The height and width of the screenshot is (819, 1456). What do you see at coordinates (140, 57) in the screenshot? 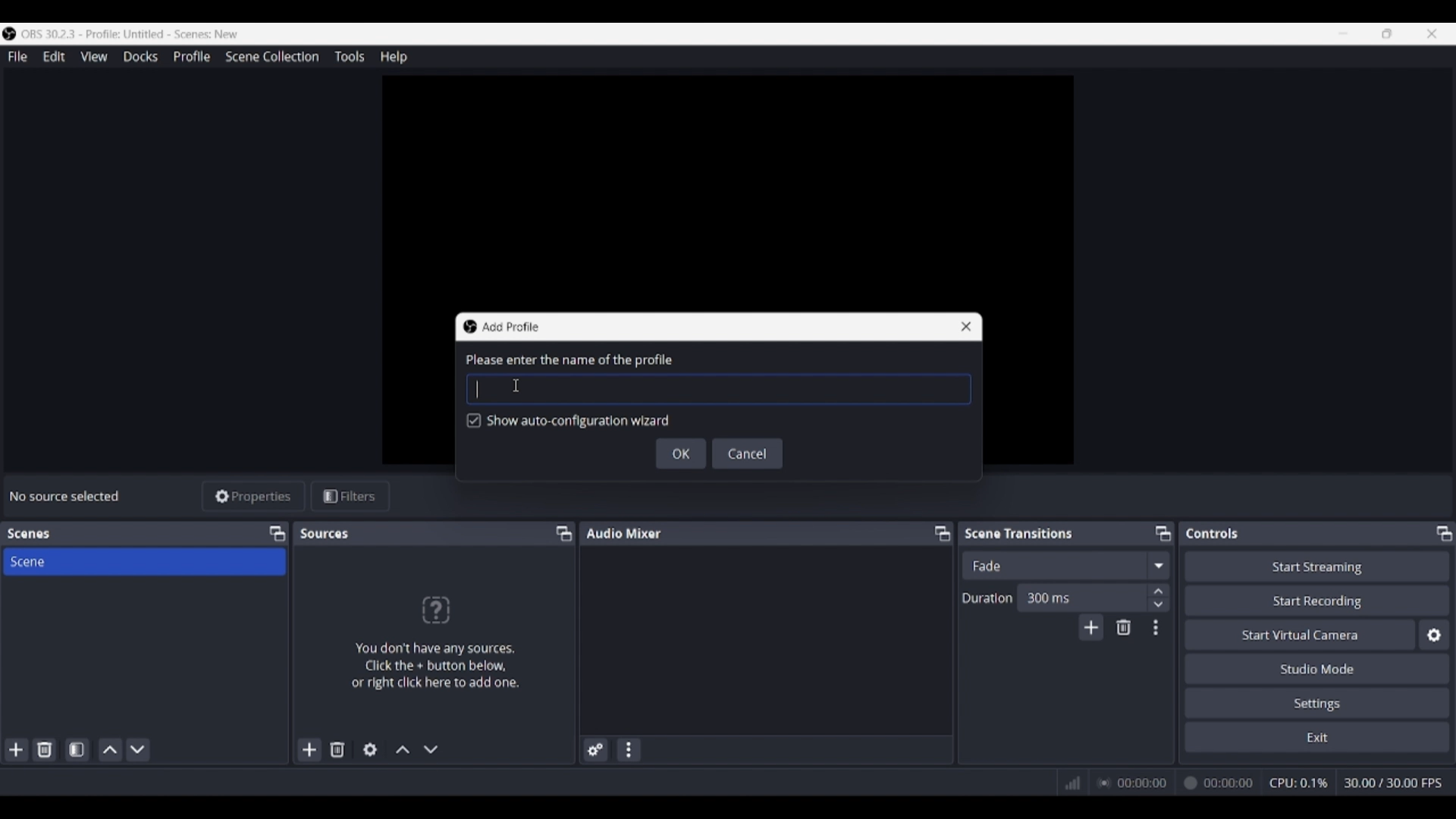
I see `Docks menu` at bounding box center [140, 57].